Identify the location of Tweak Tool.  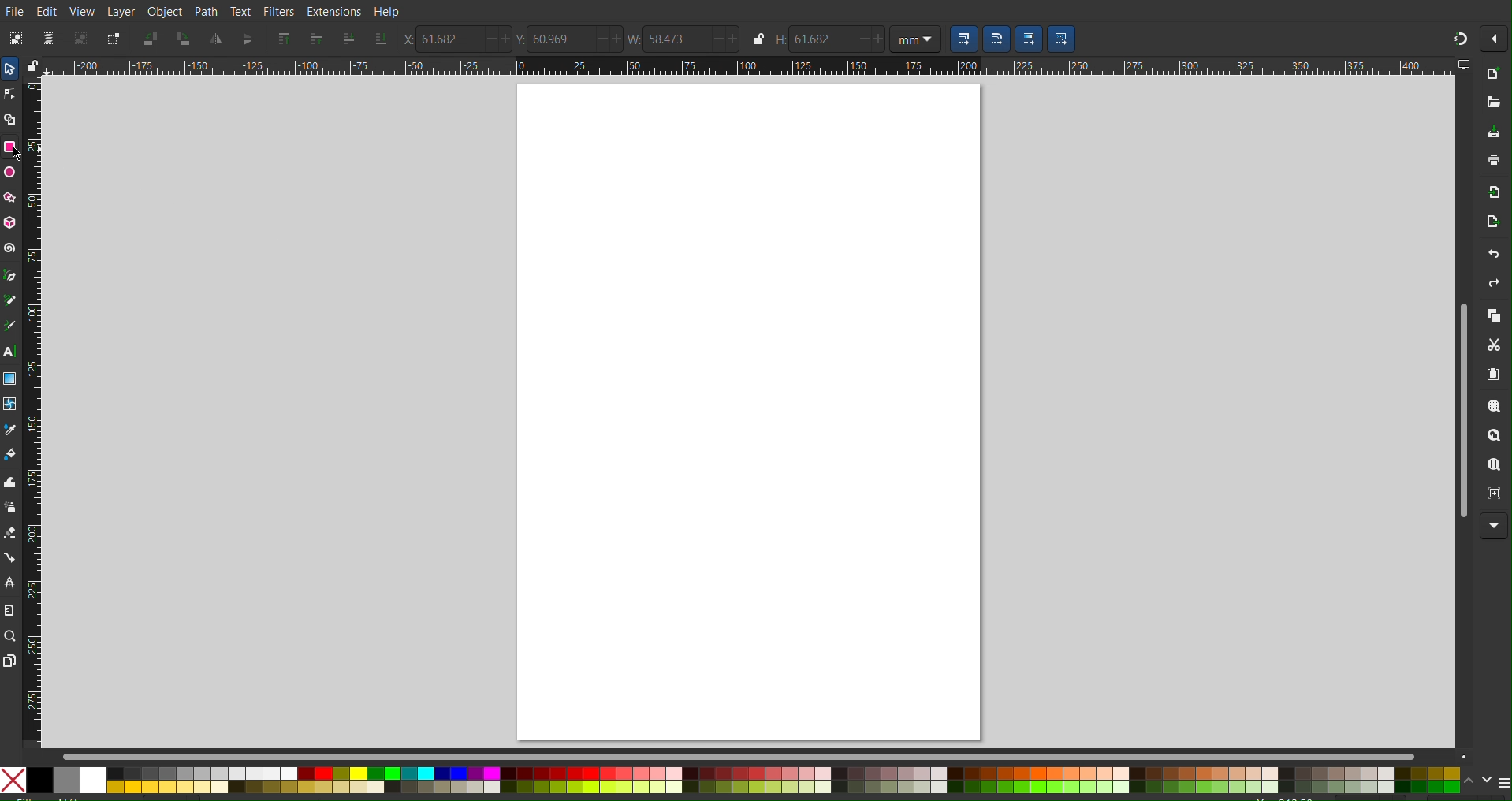
(9, 485).